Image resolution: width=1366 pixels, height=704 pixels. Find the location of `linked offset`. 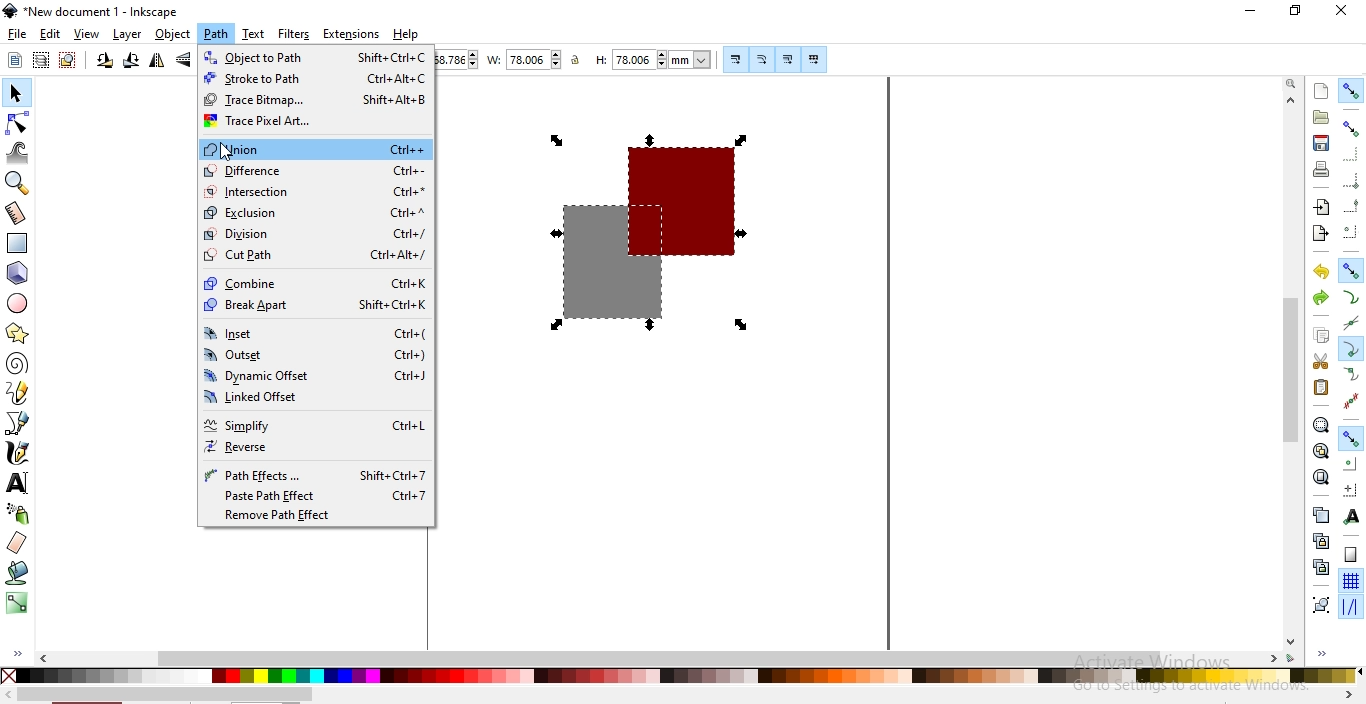

linked offset is located at coordinates (311, 397).